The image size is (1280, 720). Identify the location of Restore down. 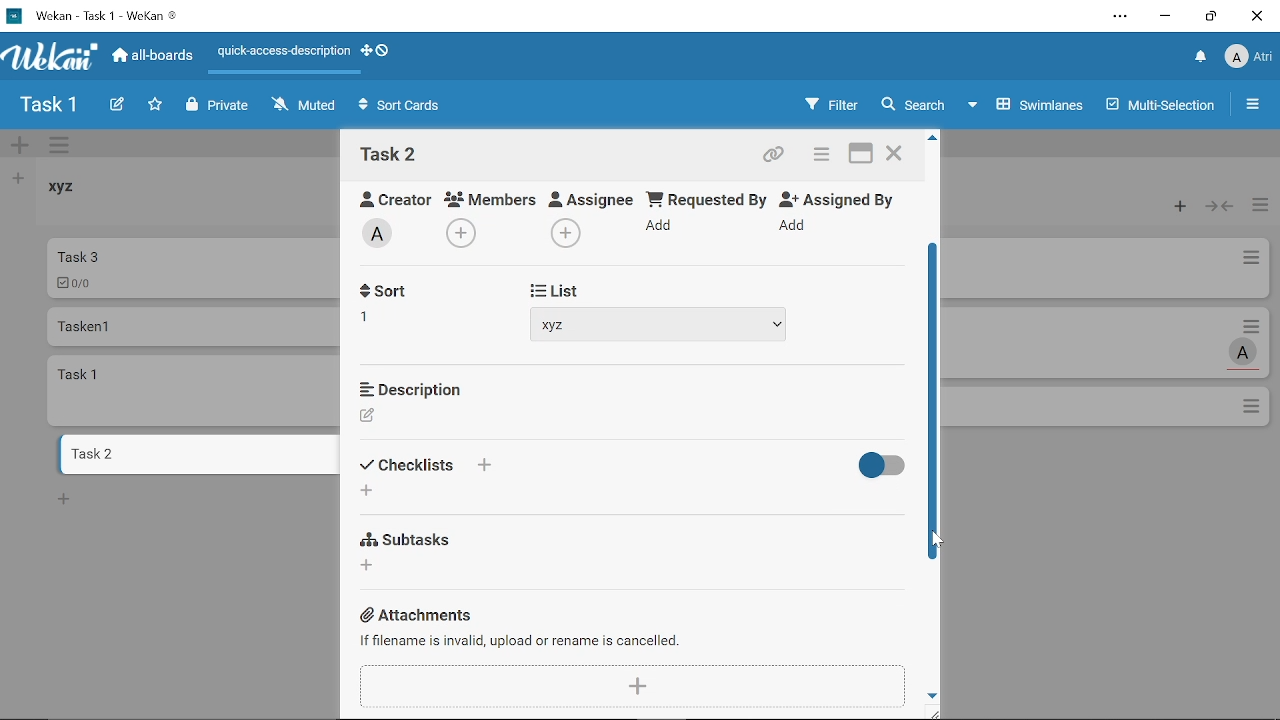
(1211, 16).